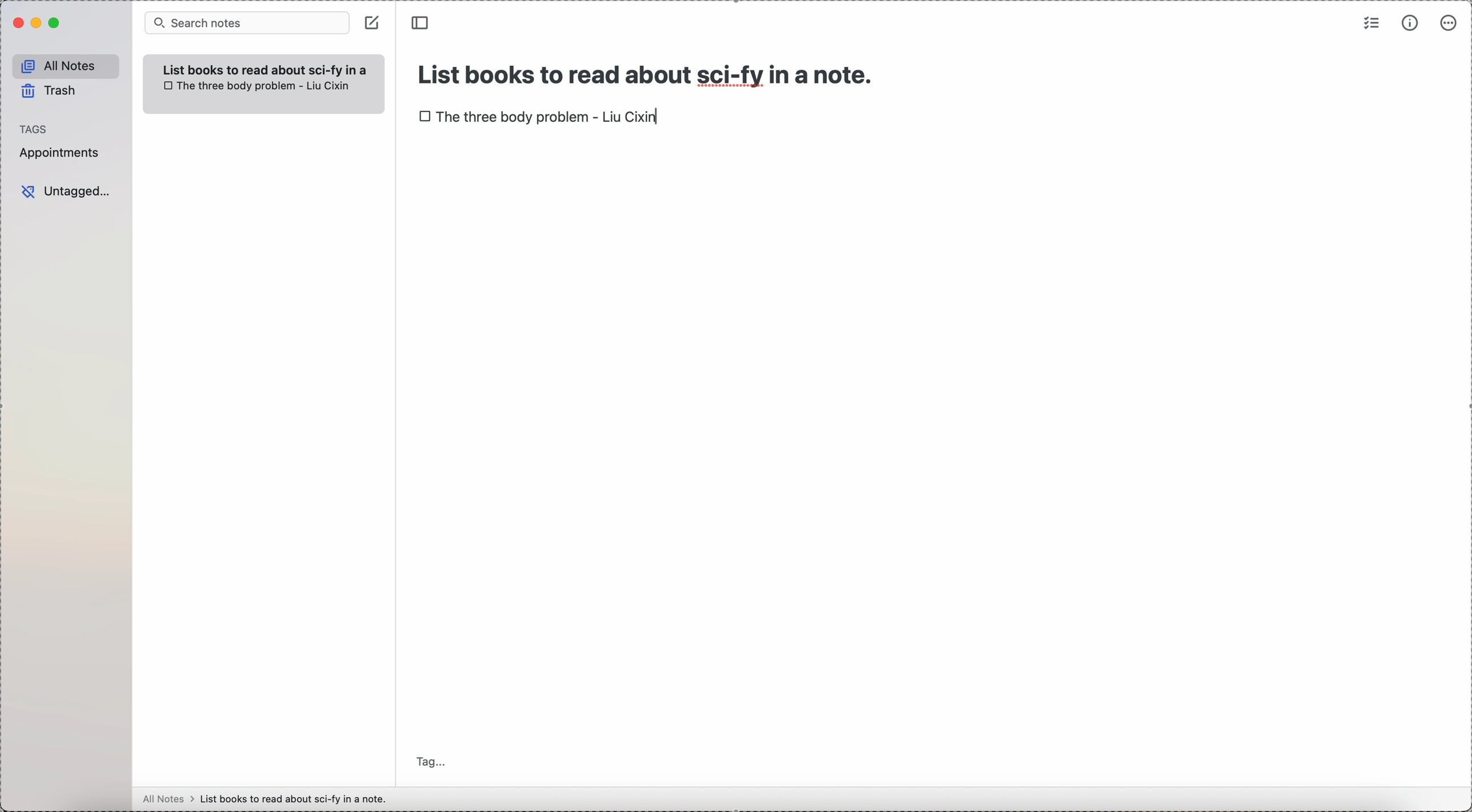  What do you see at coordinates (550, 118) in the screenshot?
I see `first book` at bounding box center [550, 118].